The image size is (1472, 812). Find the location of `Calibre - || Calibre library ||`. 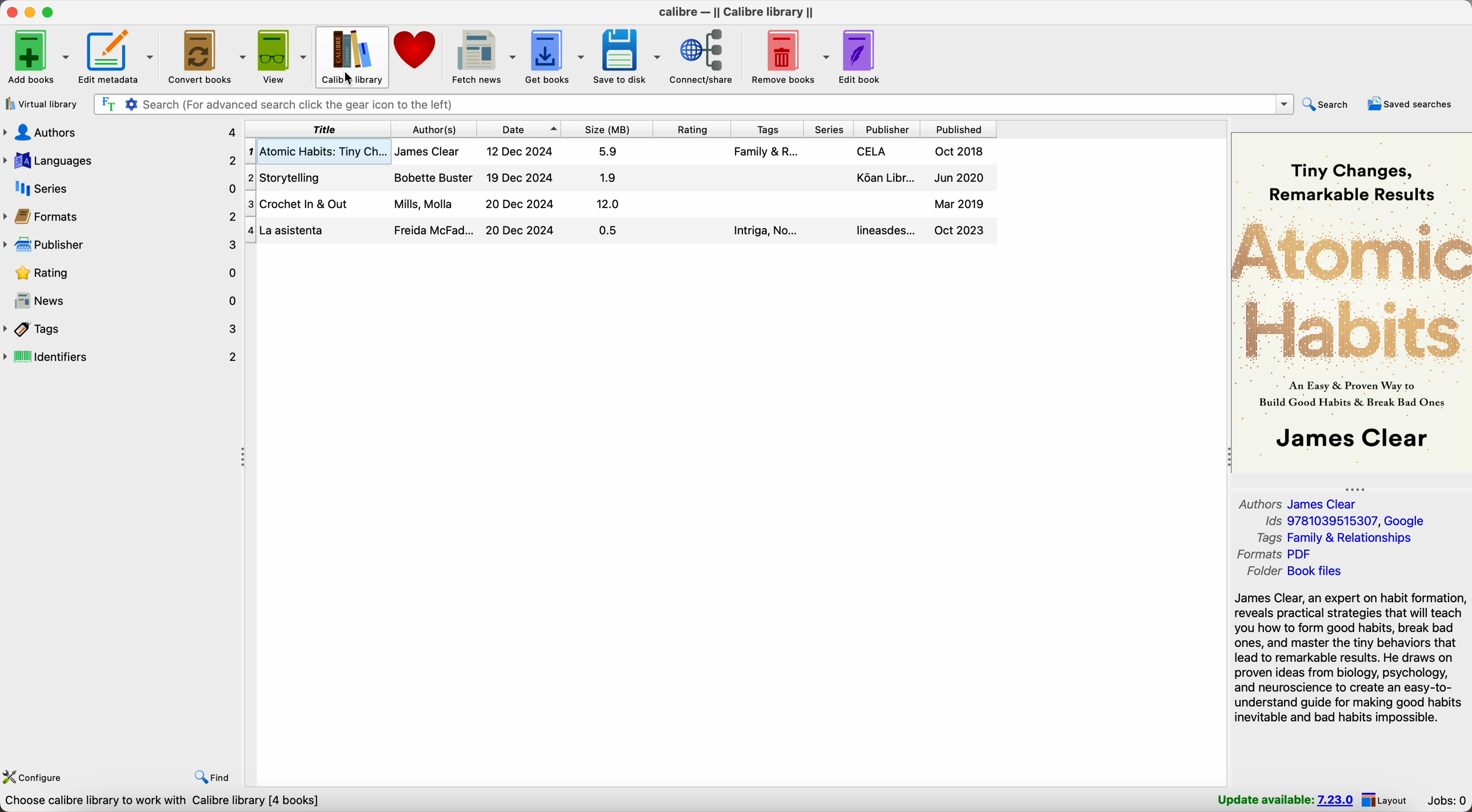

Calibre - || Calibre library || is located at coordinates (738, 10).